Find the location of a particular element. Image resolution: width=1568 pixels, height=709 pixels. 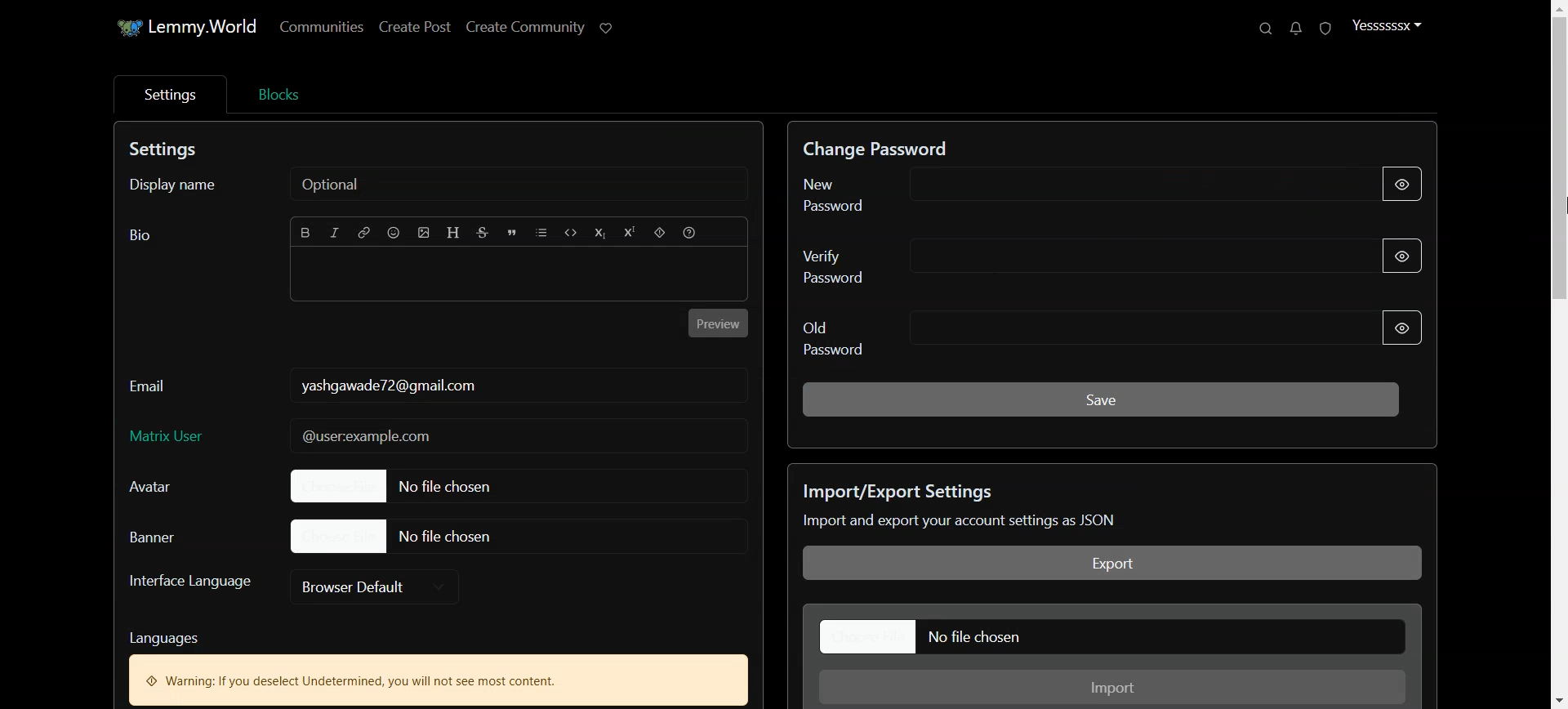

Text is located at coordinates (438, 680).